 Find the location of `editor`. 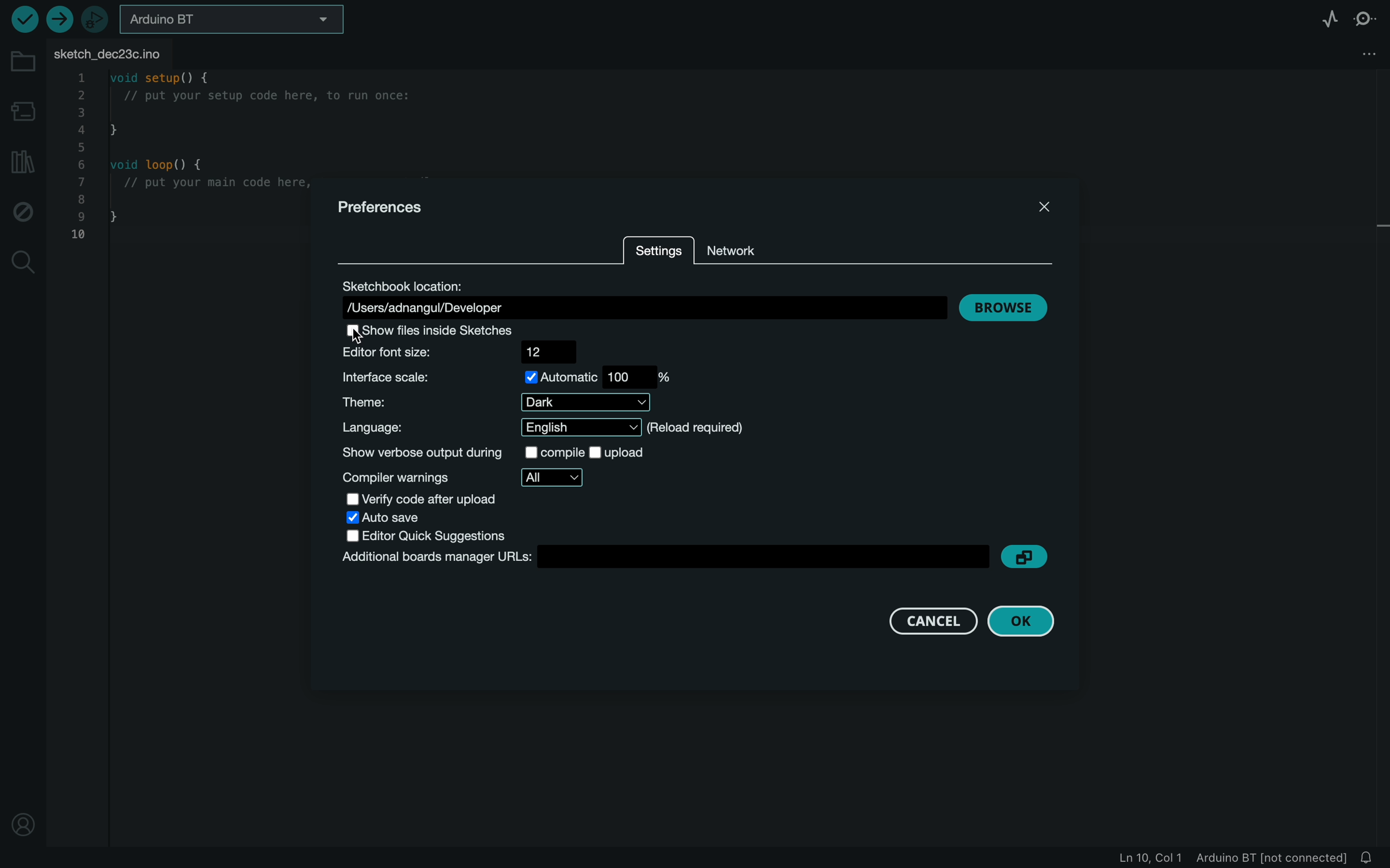

editor is located at coordinates (469, 351).